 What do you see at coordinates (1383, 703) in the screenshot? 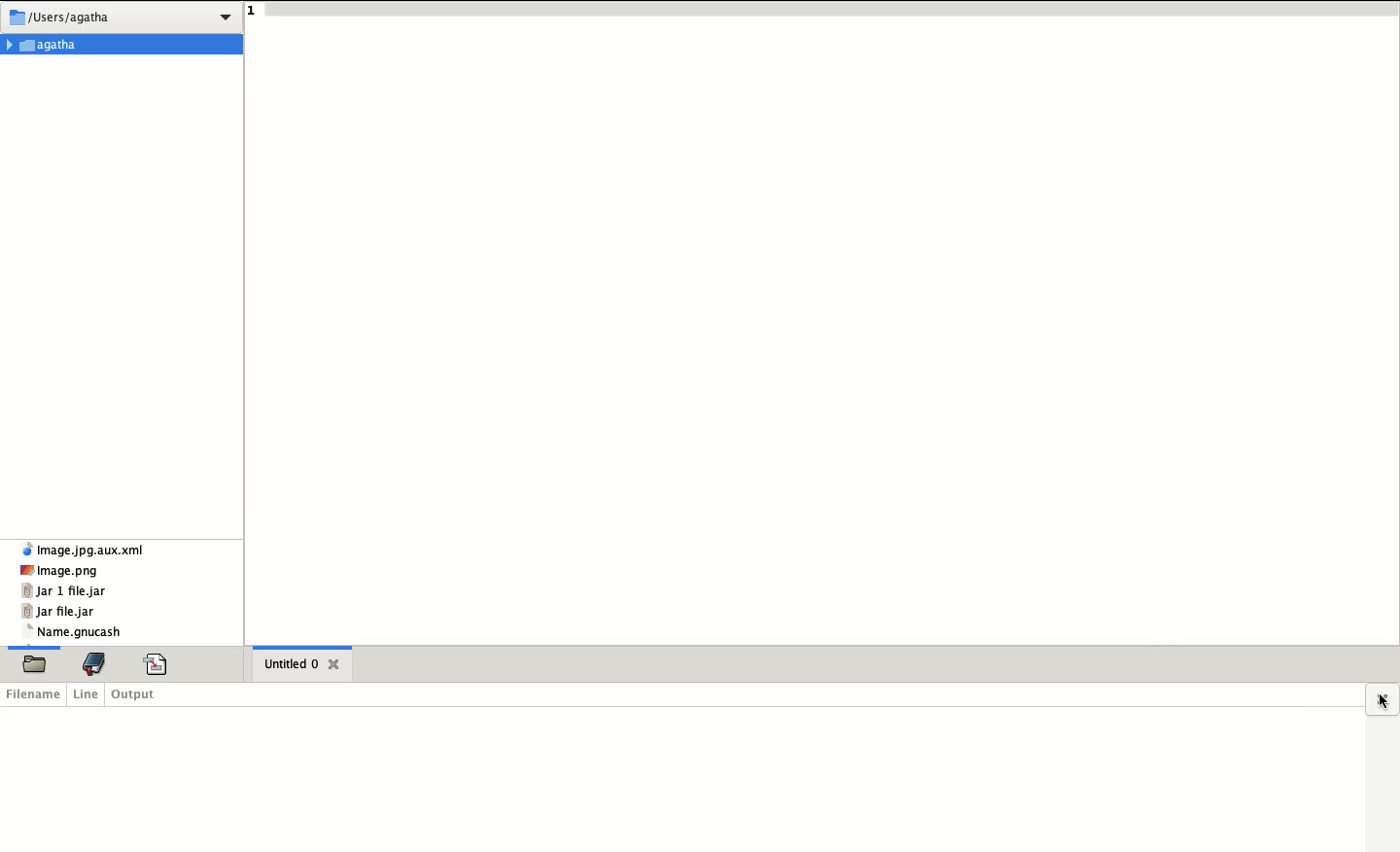
I see `cursor` at bounding box center [1383, 703].